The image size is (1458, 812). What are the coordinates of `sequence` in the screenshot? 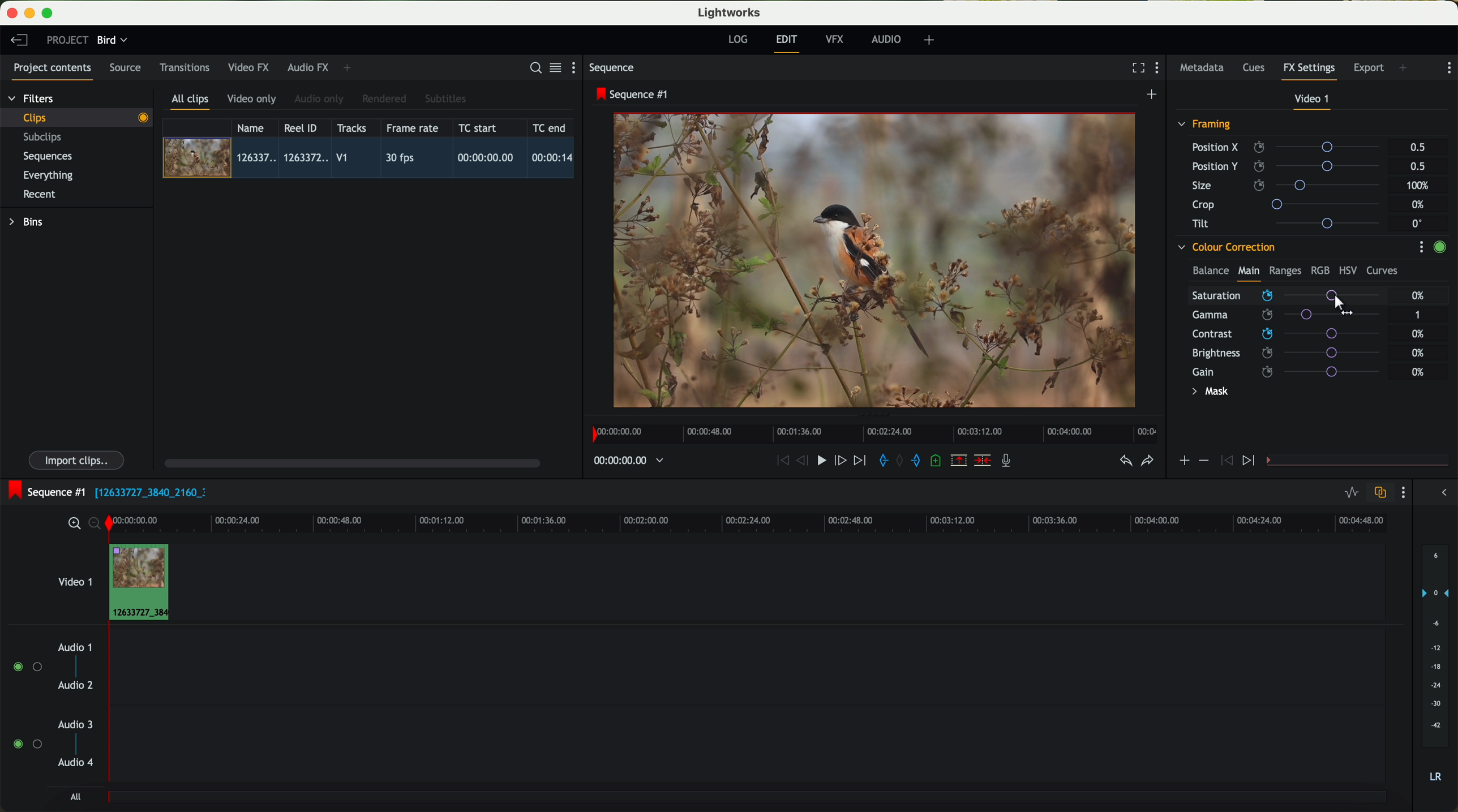 It's located at (612, 68).